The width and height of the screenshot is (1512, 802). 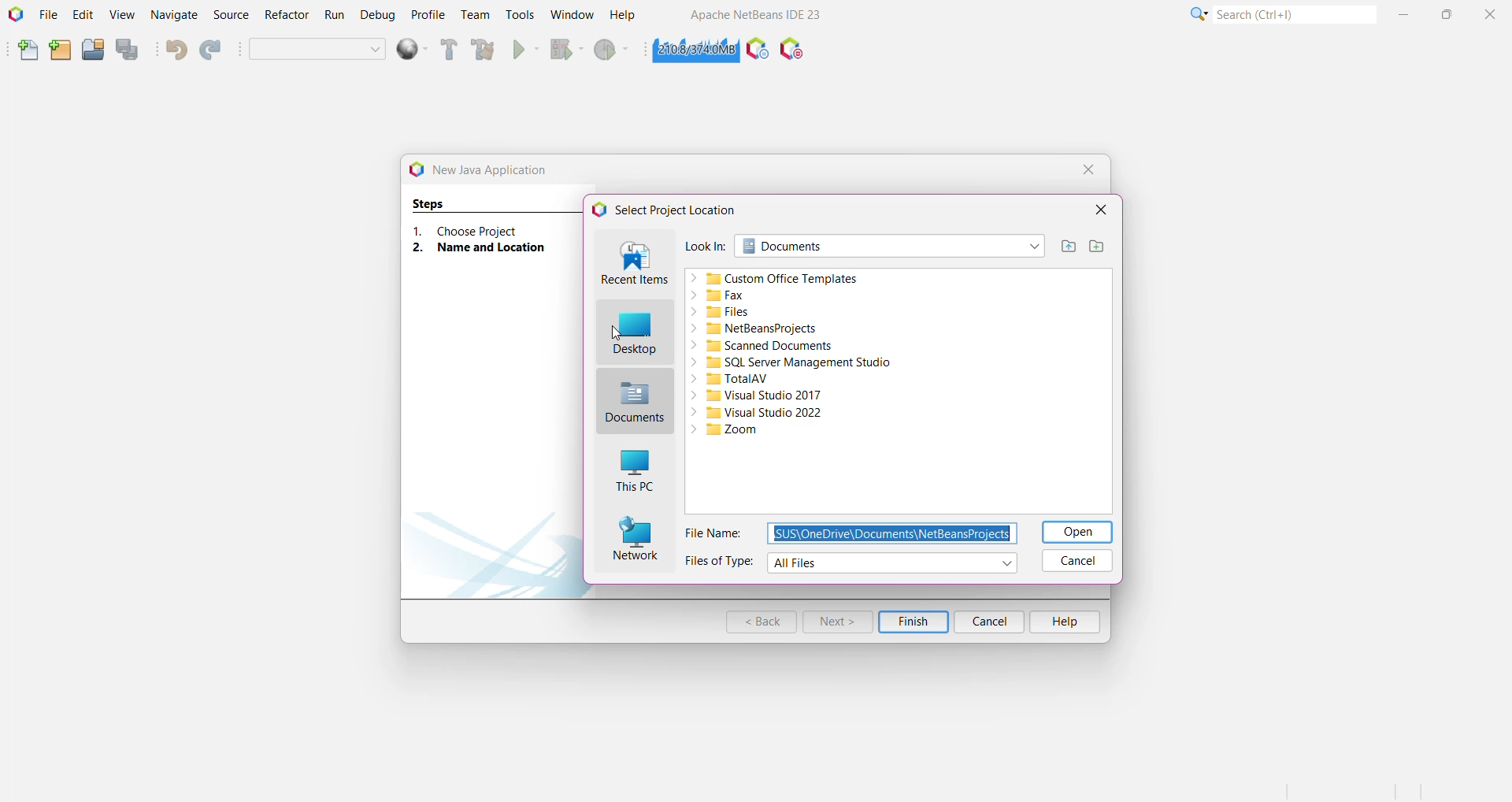 What do you see at coordinates (122, 17) in the screenshot?
I see `View` at bounding box center [122, 17].